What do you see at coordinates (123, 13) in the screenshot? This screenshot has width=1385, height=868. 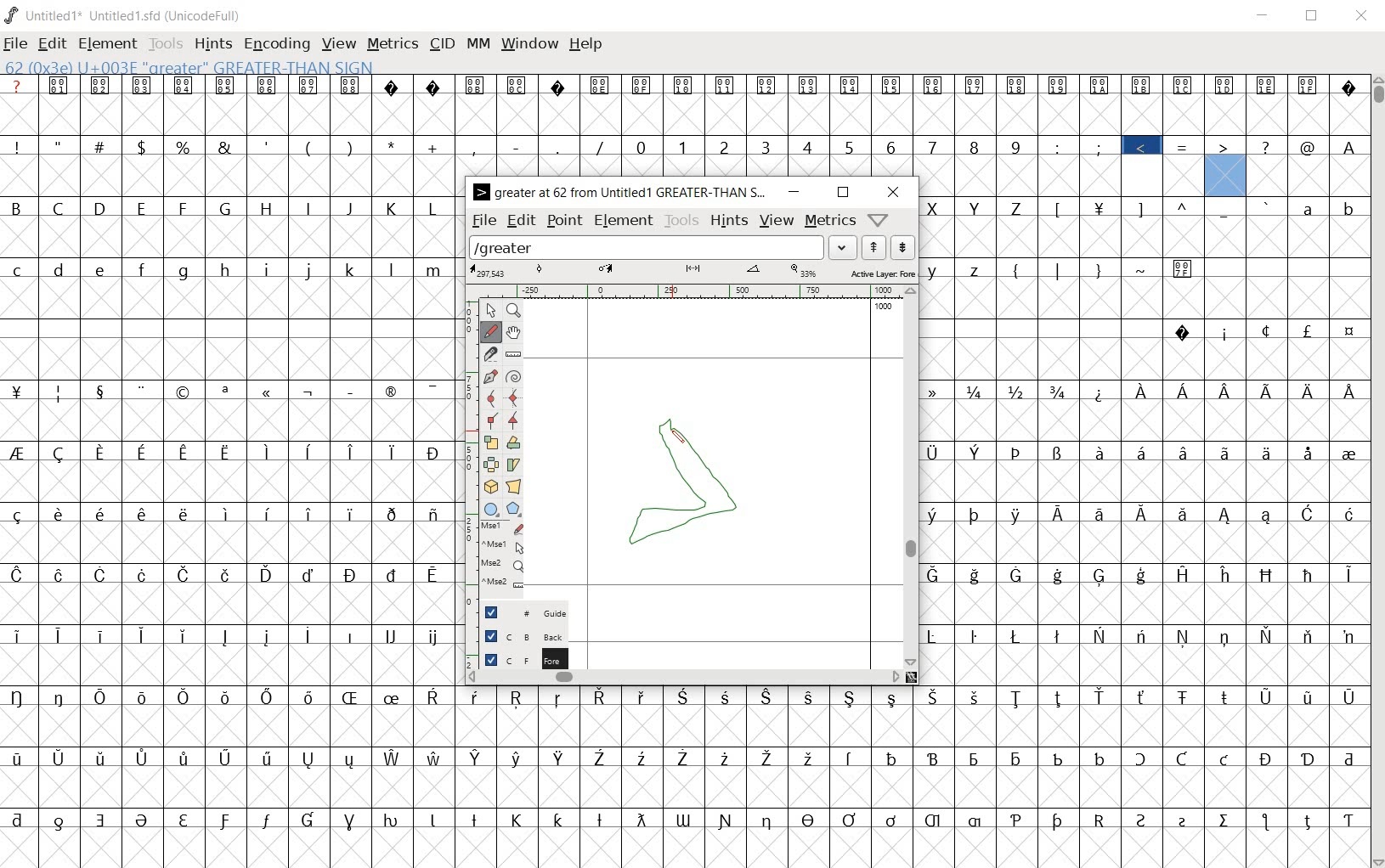 I see `Untitled1 Untitled1.sfd (UnicodeFull)` at bounding box center [123, 13].